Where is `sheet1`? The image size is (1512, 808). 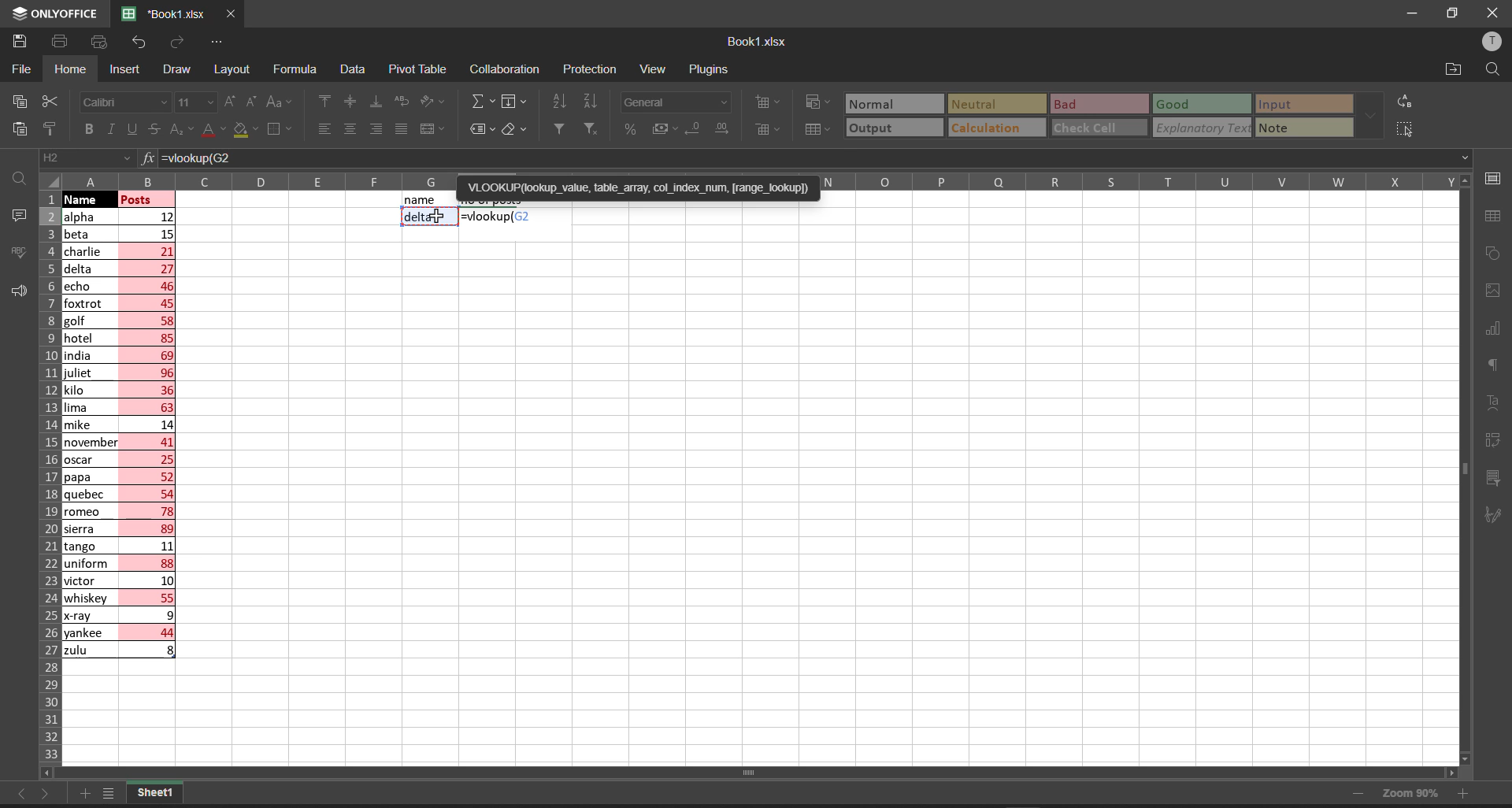 sheet1 is located at coordinates (155, 794).